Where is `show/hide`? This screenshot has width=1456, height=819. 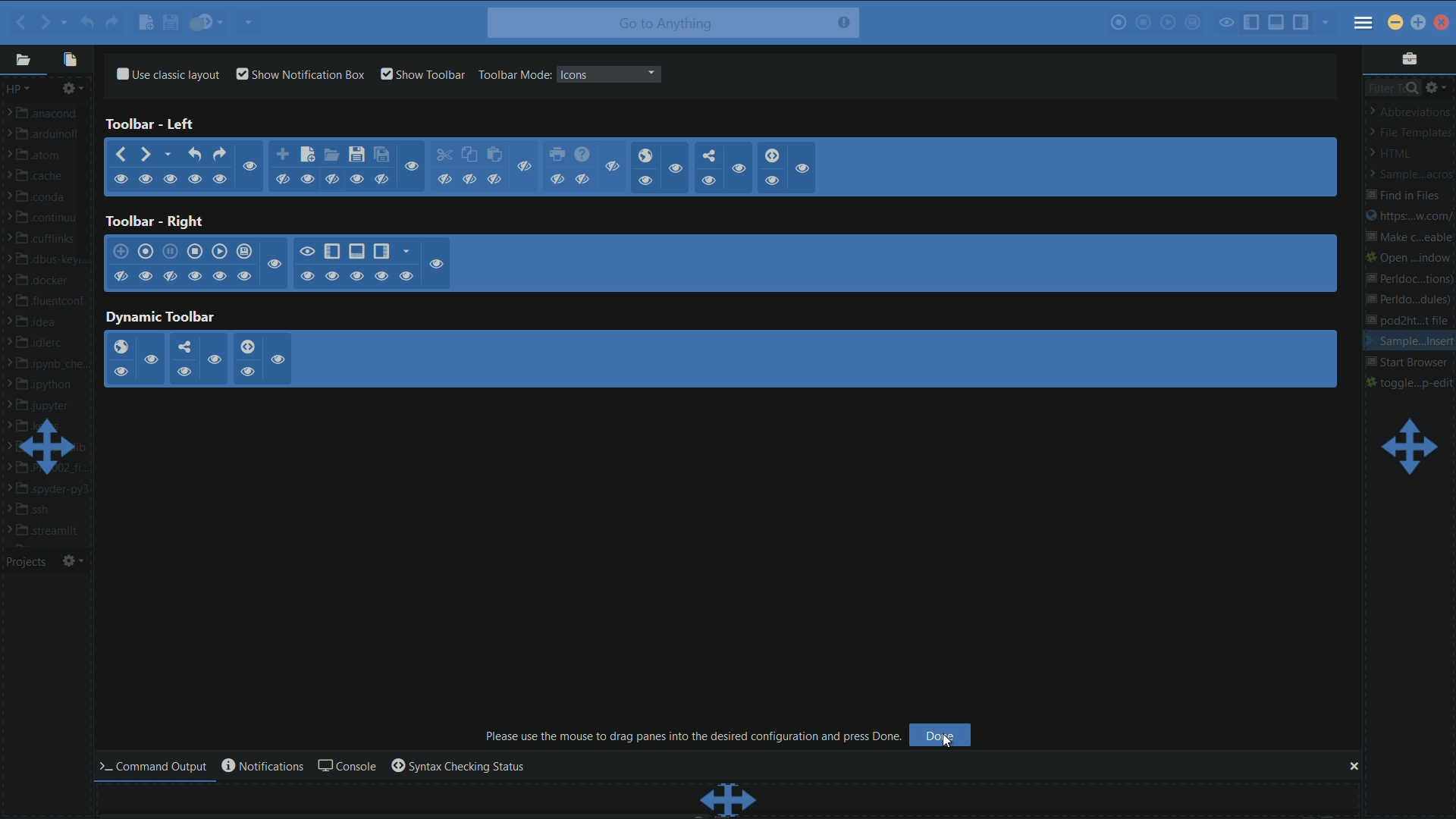
show/hide is located at coordinates (331, 178).